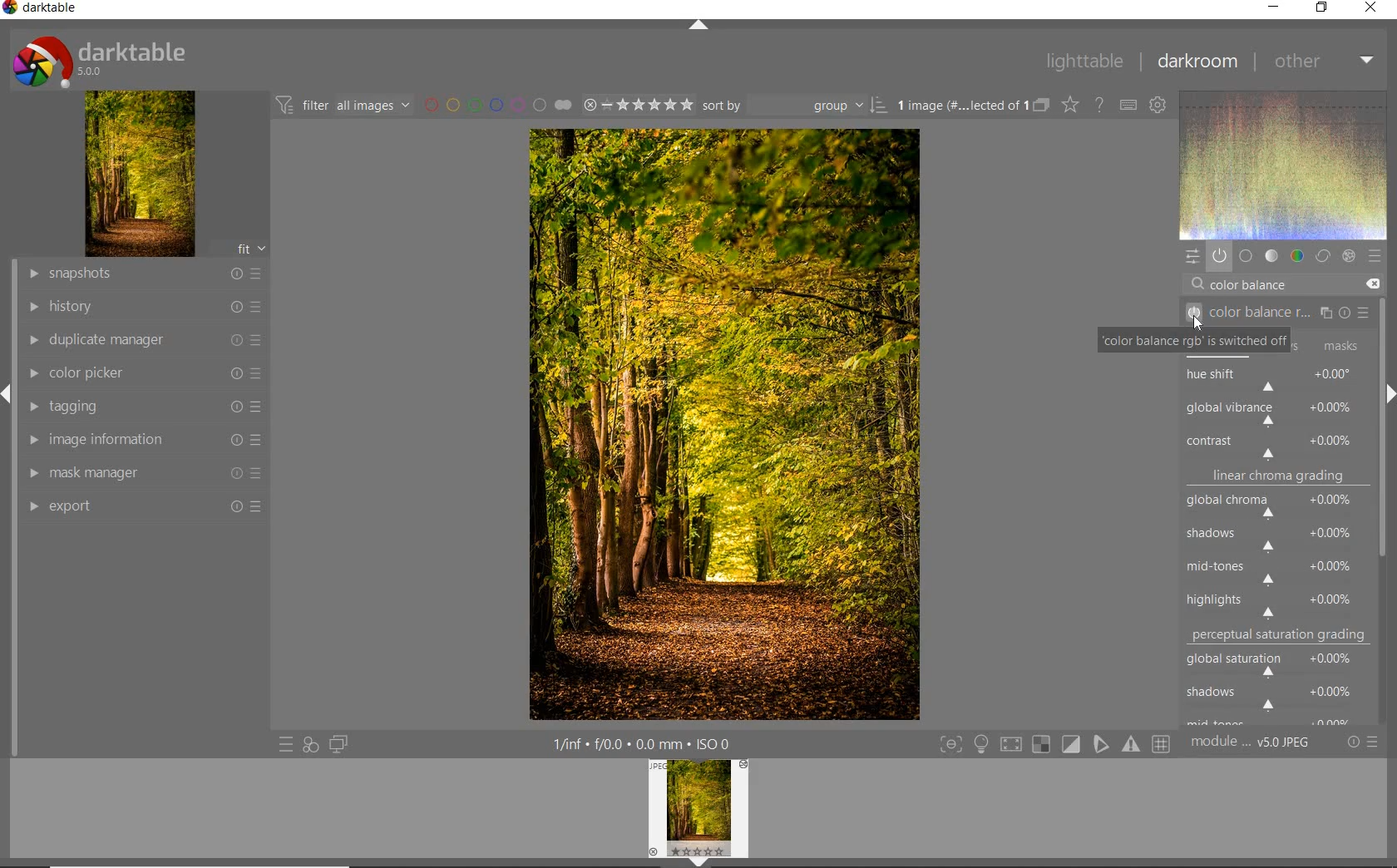  What do you see at coordinates (1277, 380) in the screenshot?
I see `hue shift` at bounding box center [1277, 380].